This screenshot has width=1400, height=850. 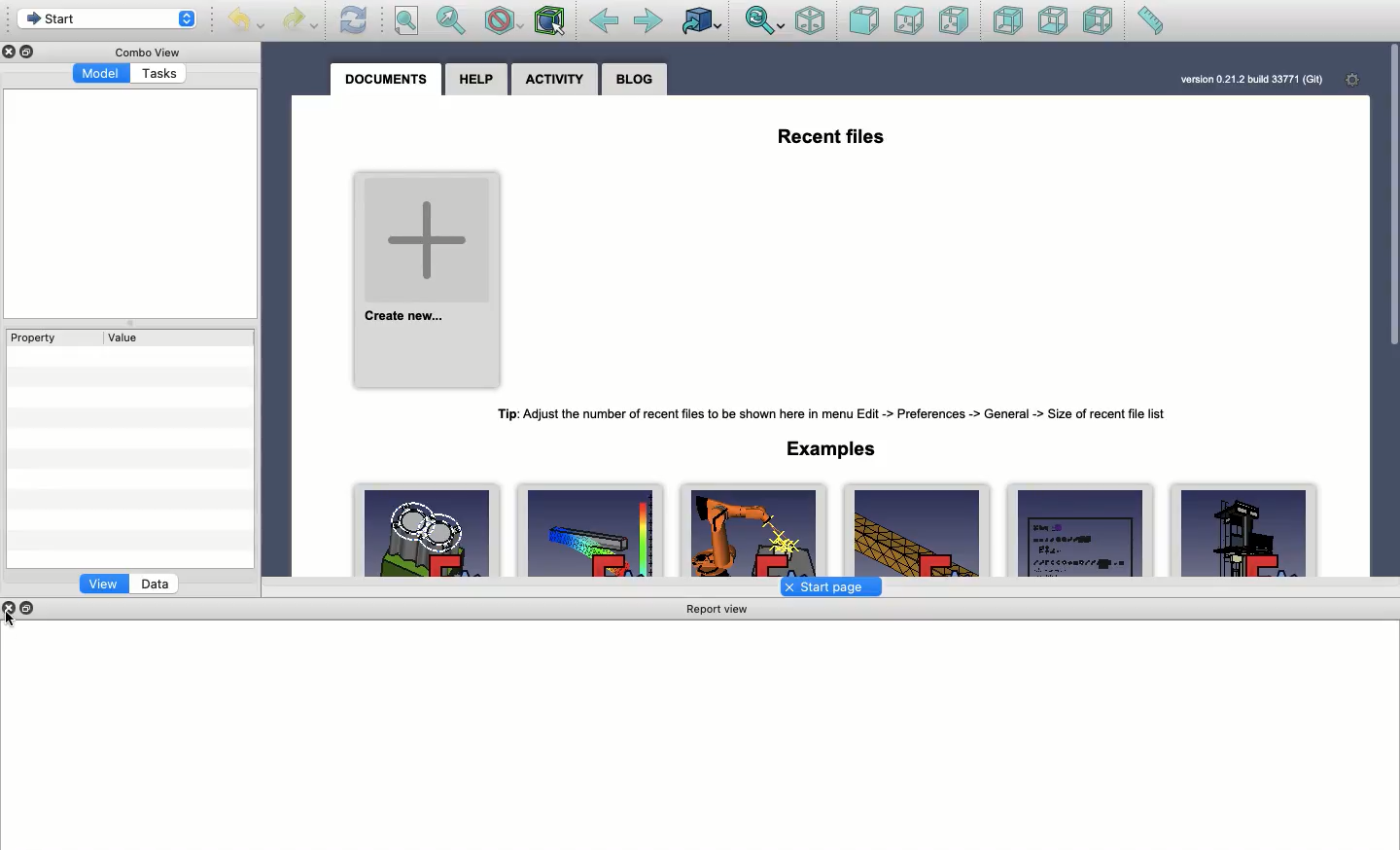 I want to click on Property , so click(x=40, y=339).